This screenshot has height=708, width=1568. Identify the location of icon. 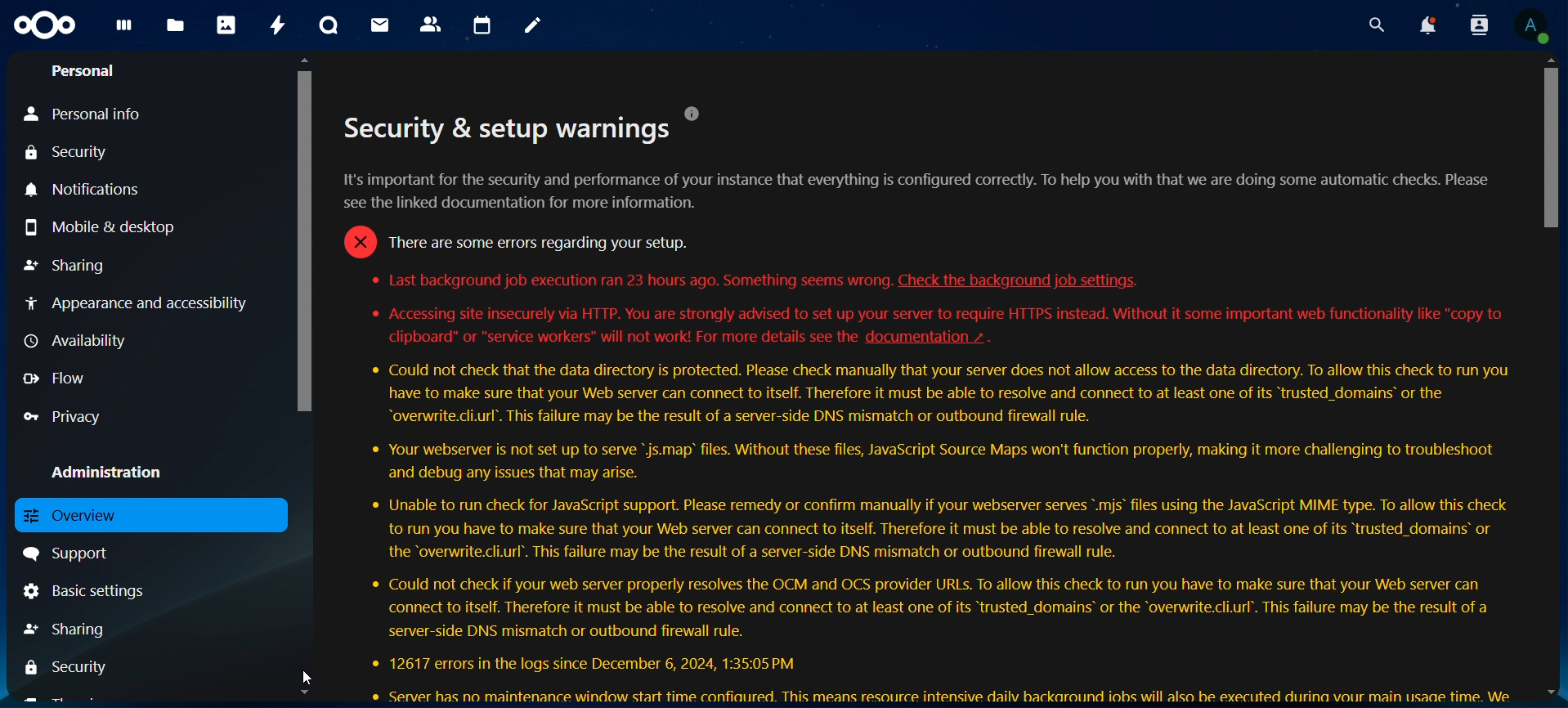
(43, 25).